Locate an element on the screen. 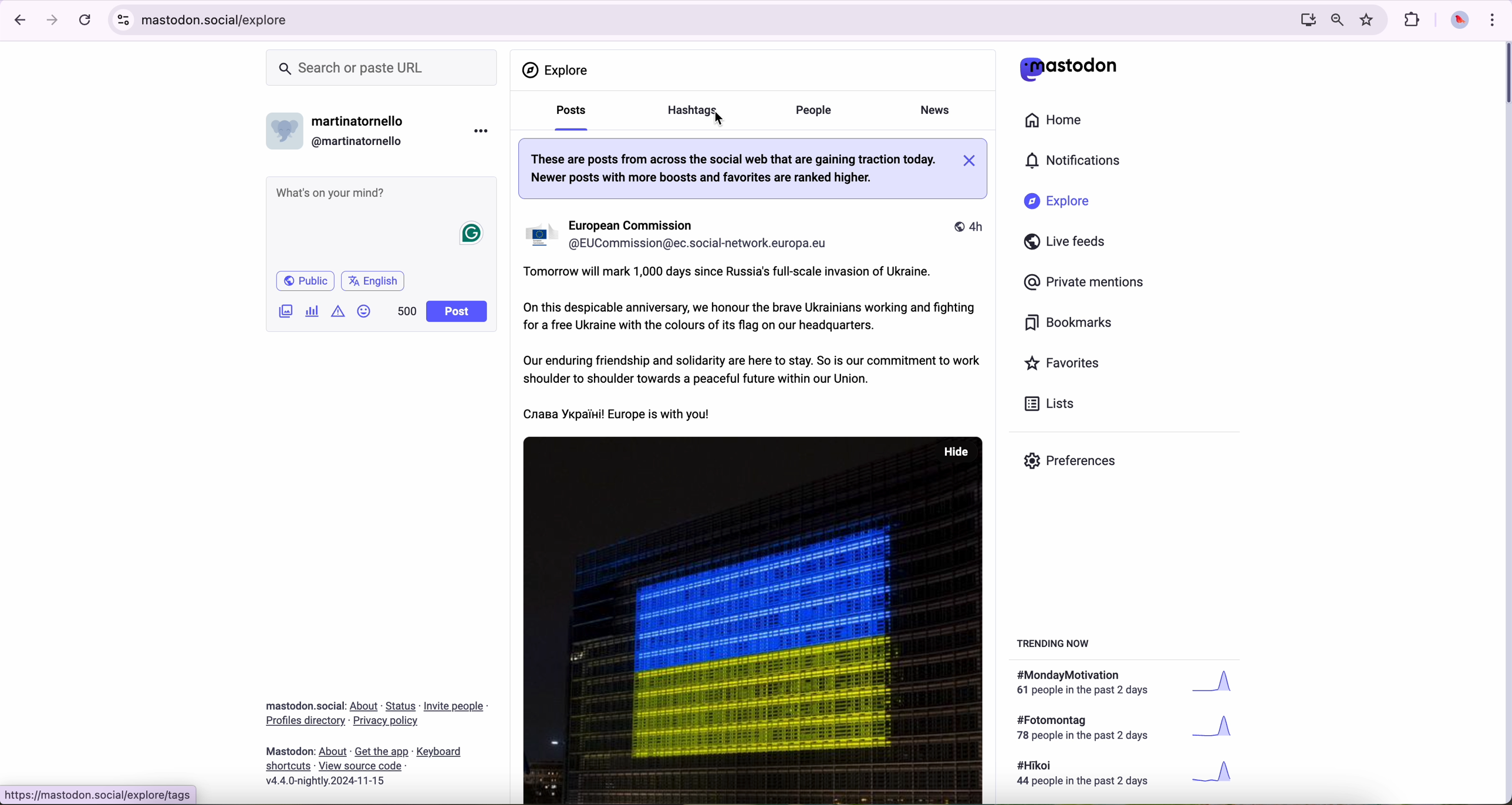  chart is located at coordinates (312, 312).